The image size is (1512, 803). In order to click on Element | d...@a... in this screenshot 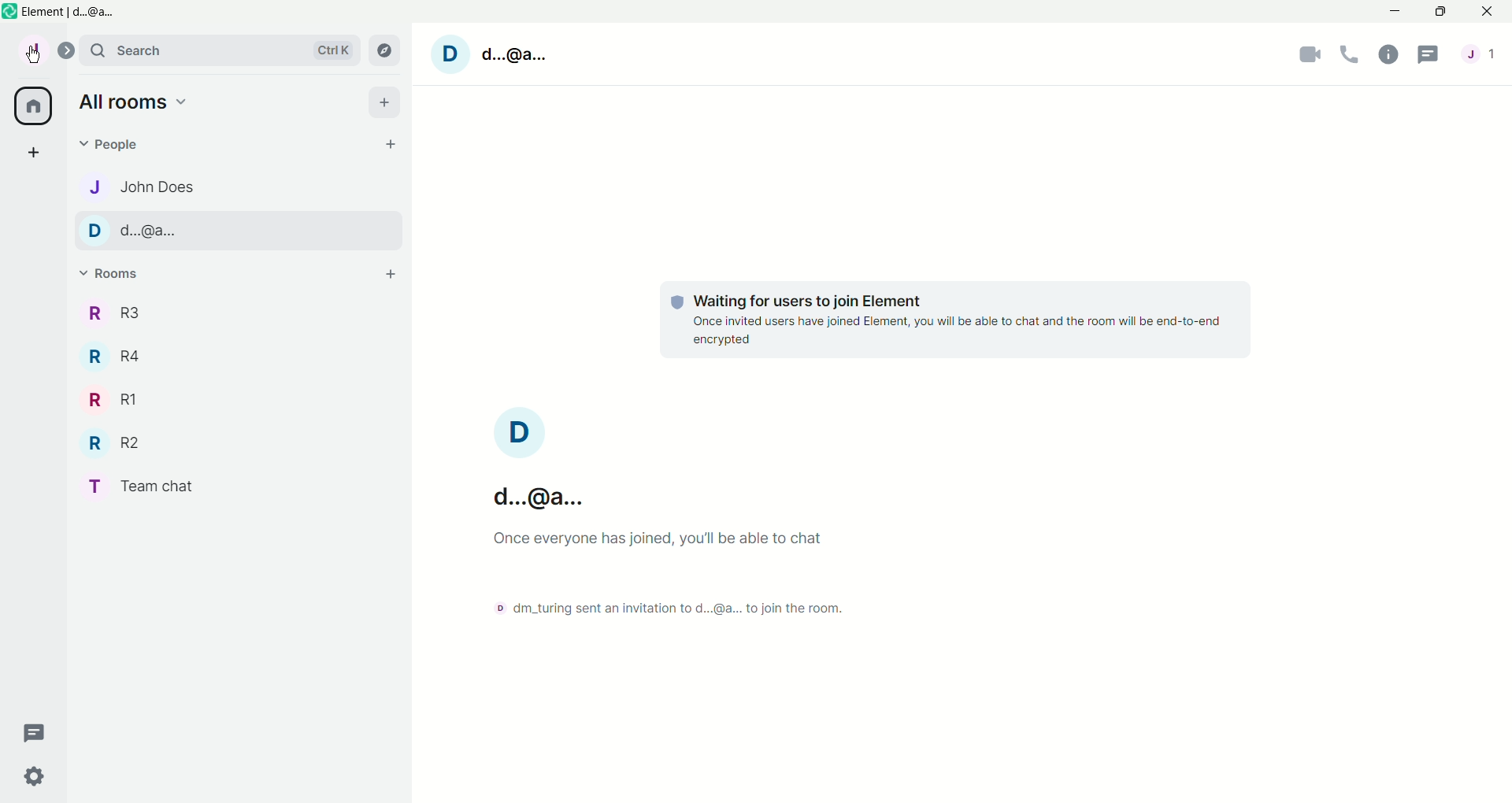, I will do `click(72, 13)`.